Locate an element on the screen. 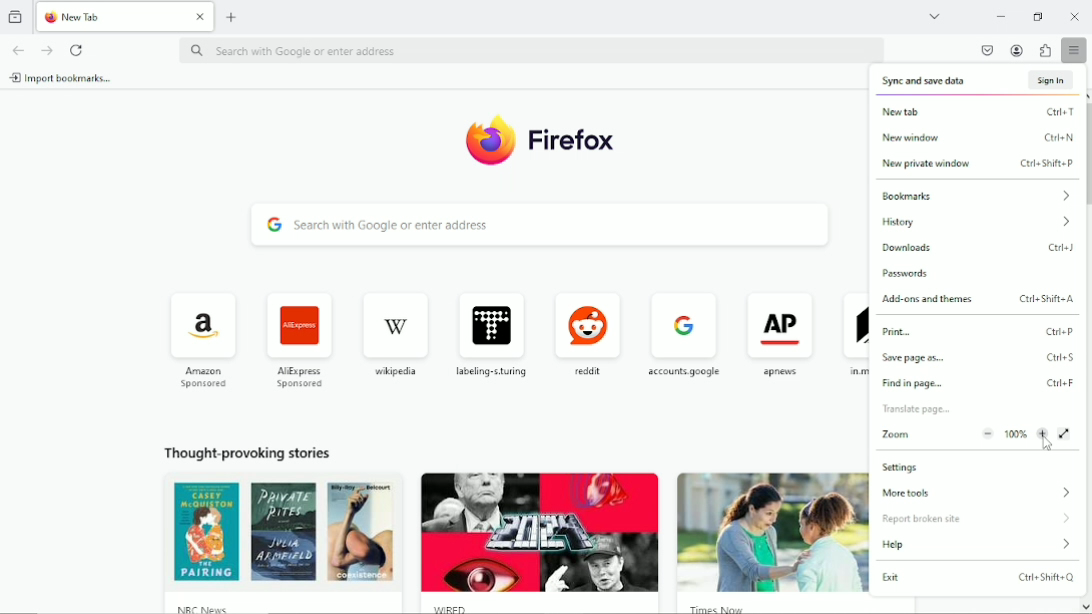 The image size is (1092, 614). extensions is located at coordinates (1045, 51).